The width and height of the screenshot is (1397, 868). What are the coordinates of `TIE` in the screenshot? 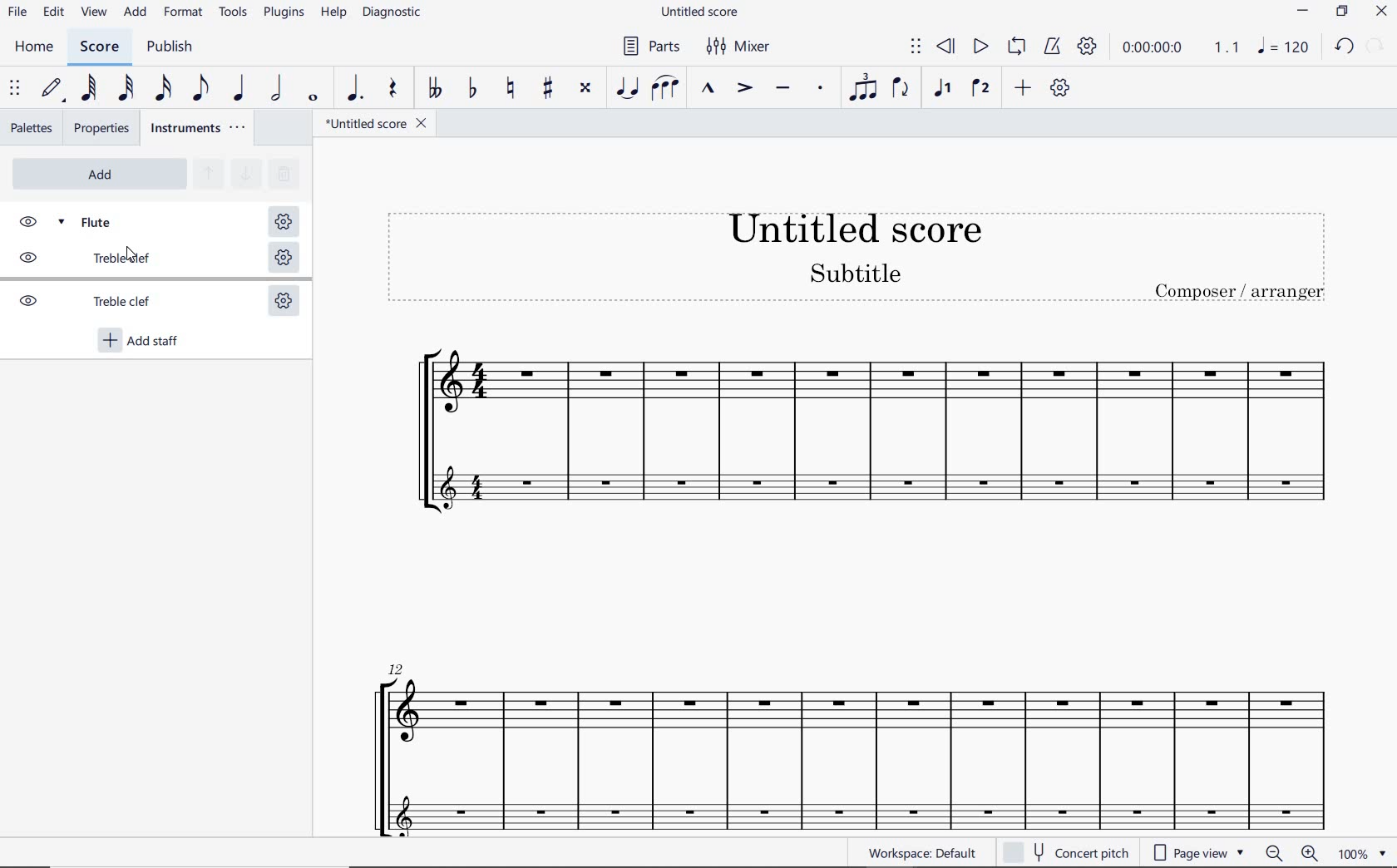 It's located at (628, 89).